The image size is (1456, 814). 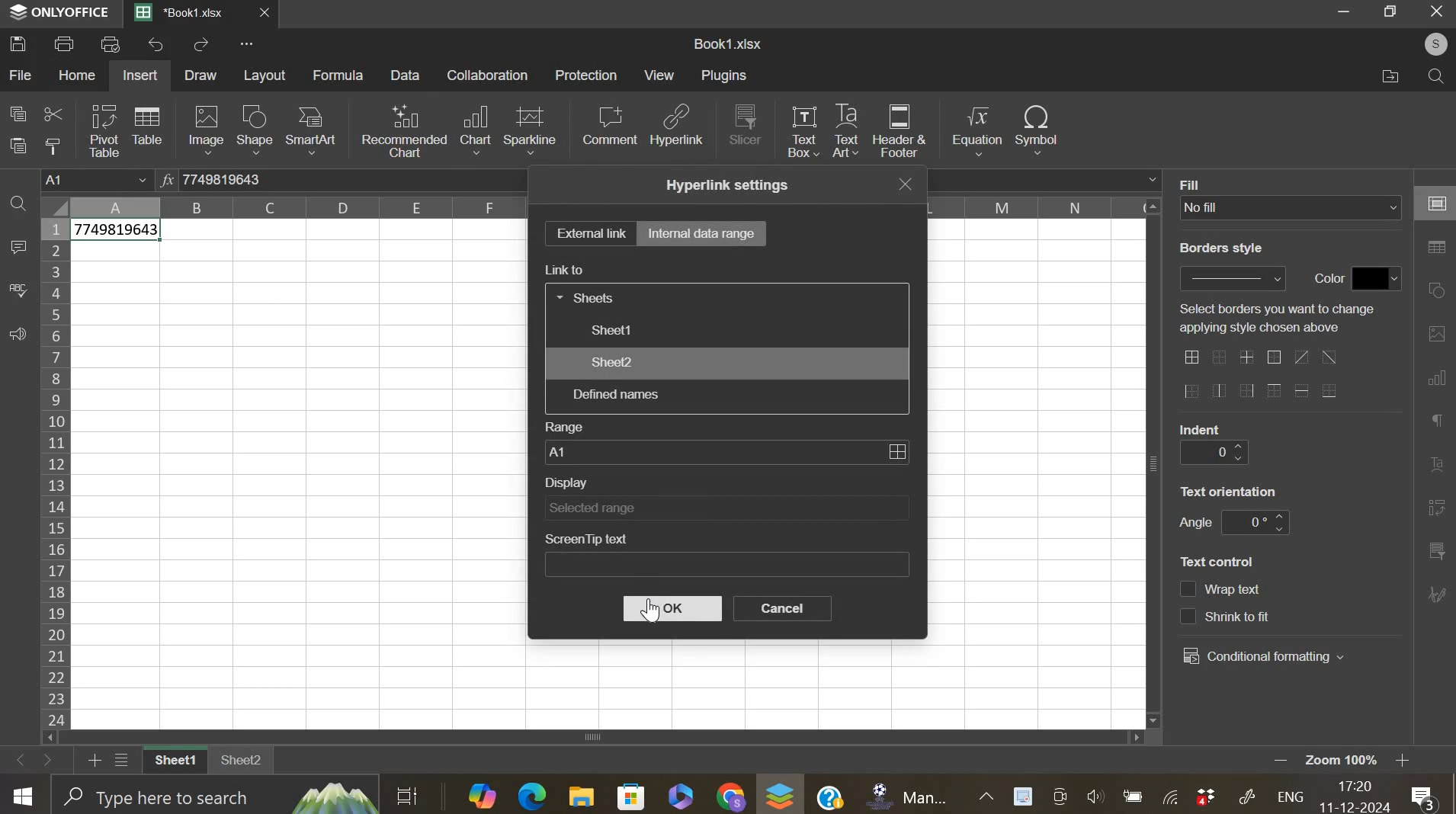 What do you see at coordinates (53, 146) in the screenshot?
I see `copy style` at bounding box center [53, 146].